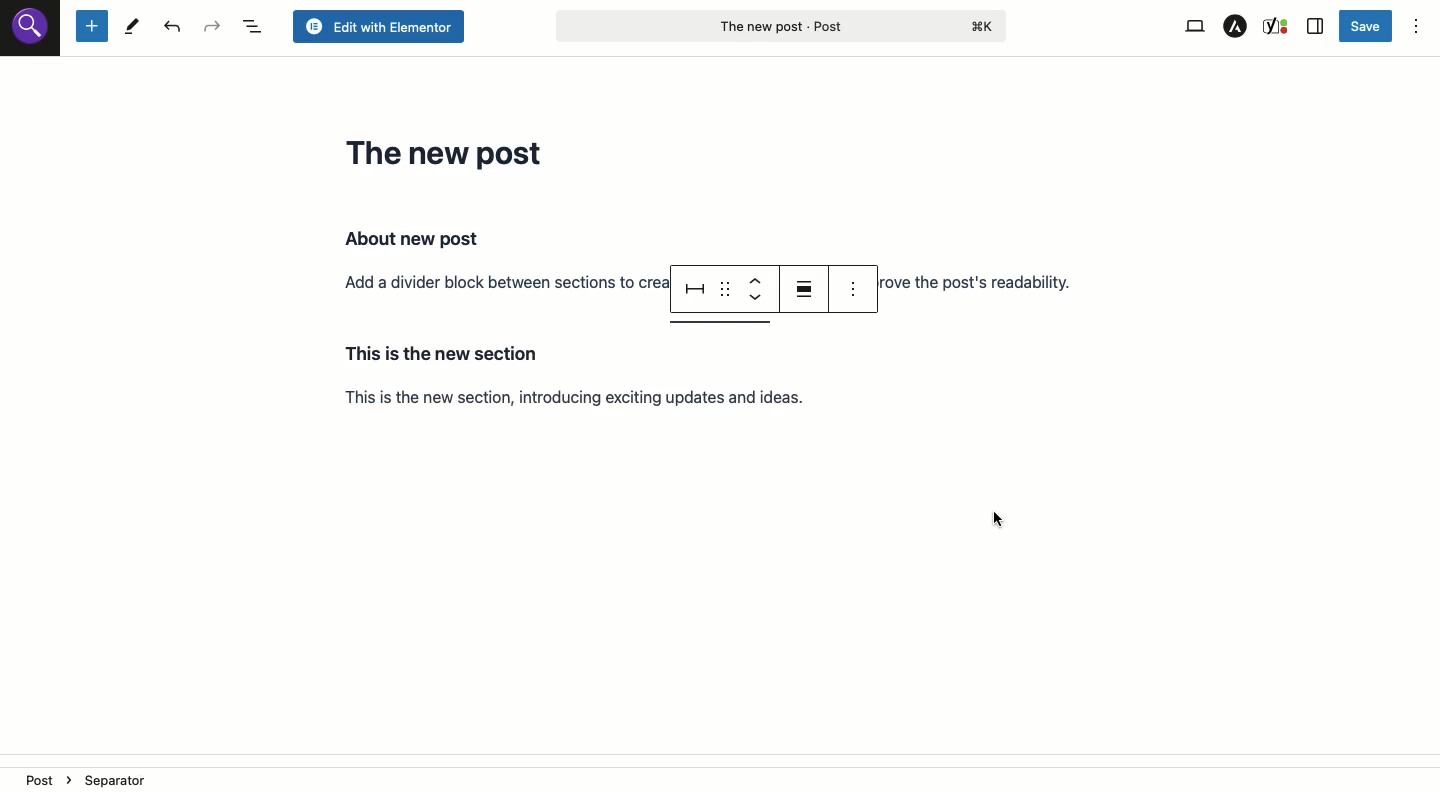 The height and width of the screenshot is (792, 1440). Describe the element at coordinates (377, 27) in the screenshot. I see `Edit with elementor` at that location.